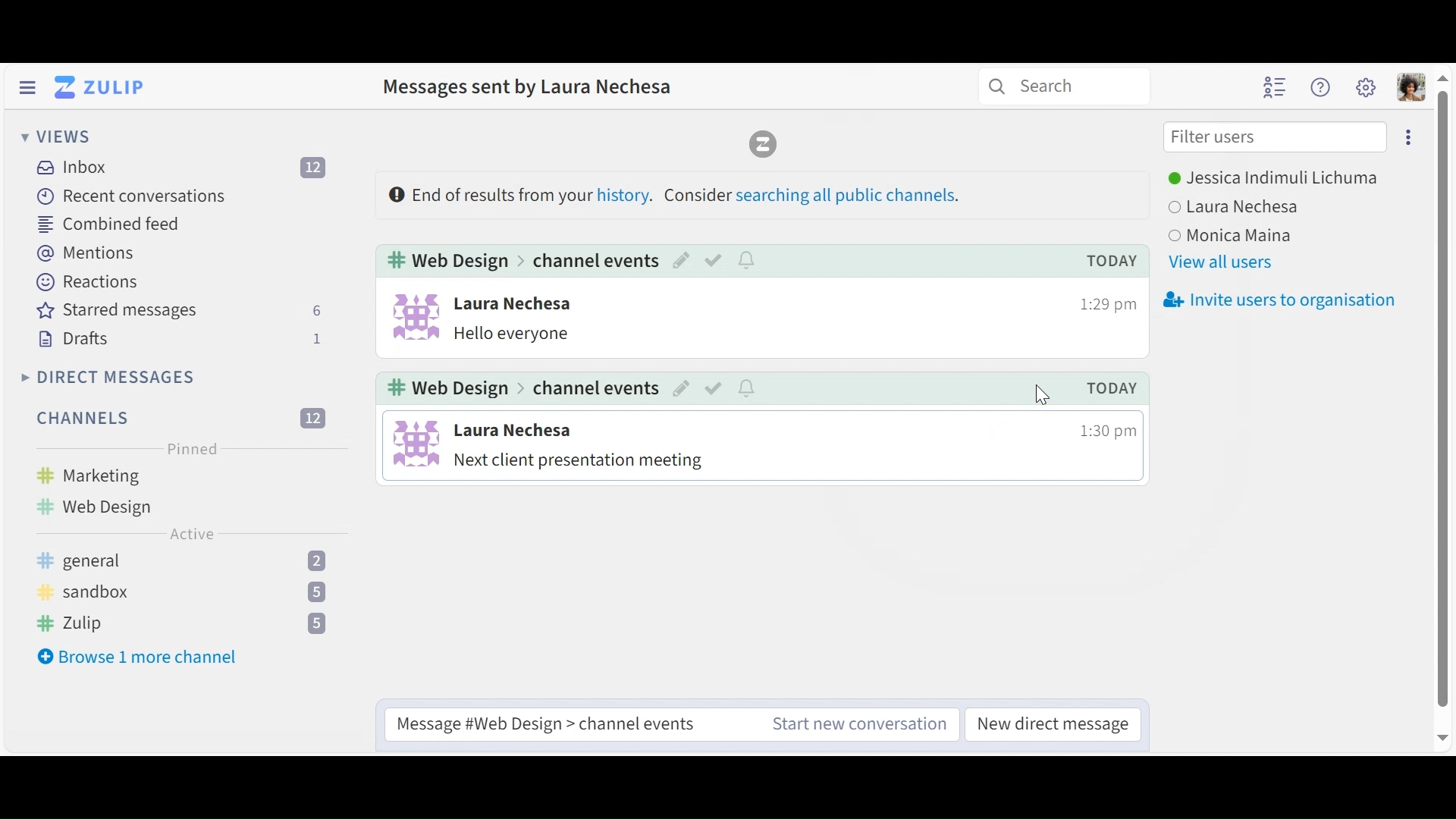 This screenshot has height=819, width=1456. I want to click on mark, so click(713, 260).